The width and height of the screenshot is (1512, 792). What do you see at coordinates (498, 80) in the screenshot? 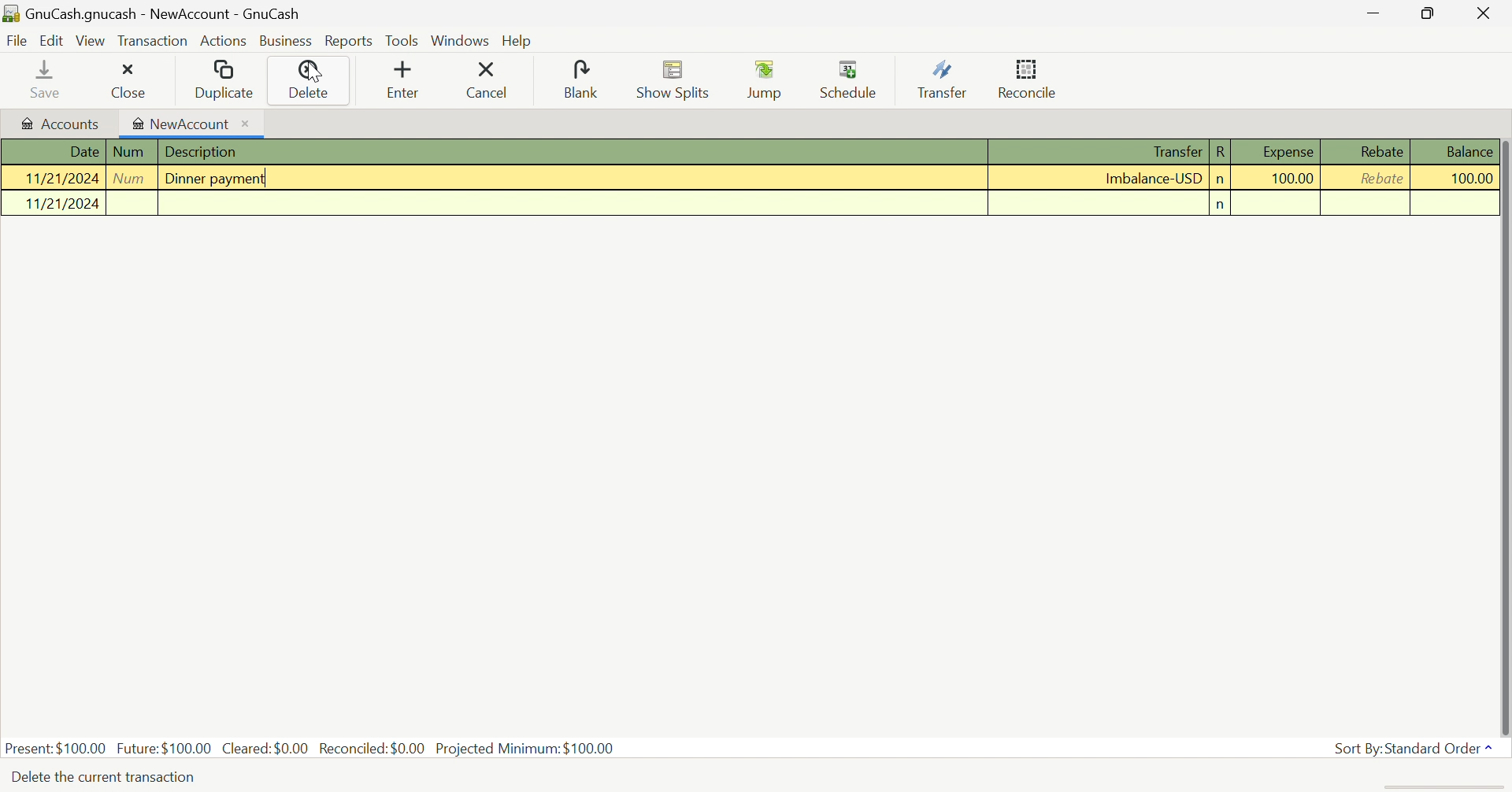
I see `Cancel` at bounding box center [498, 80].